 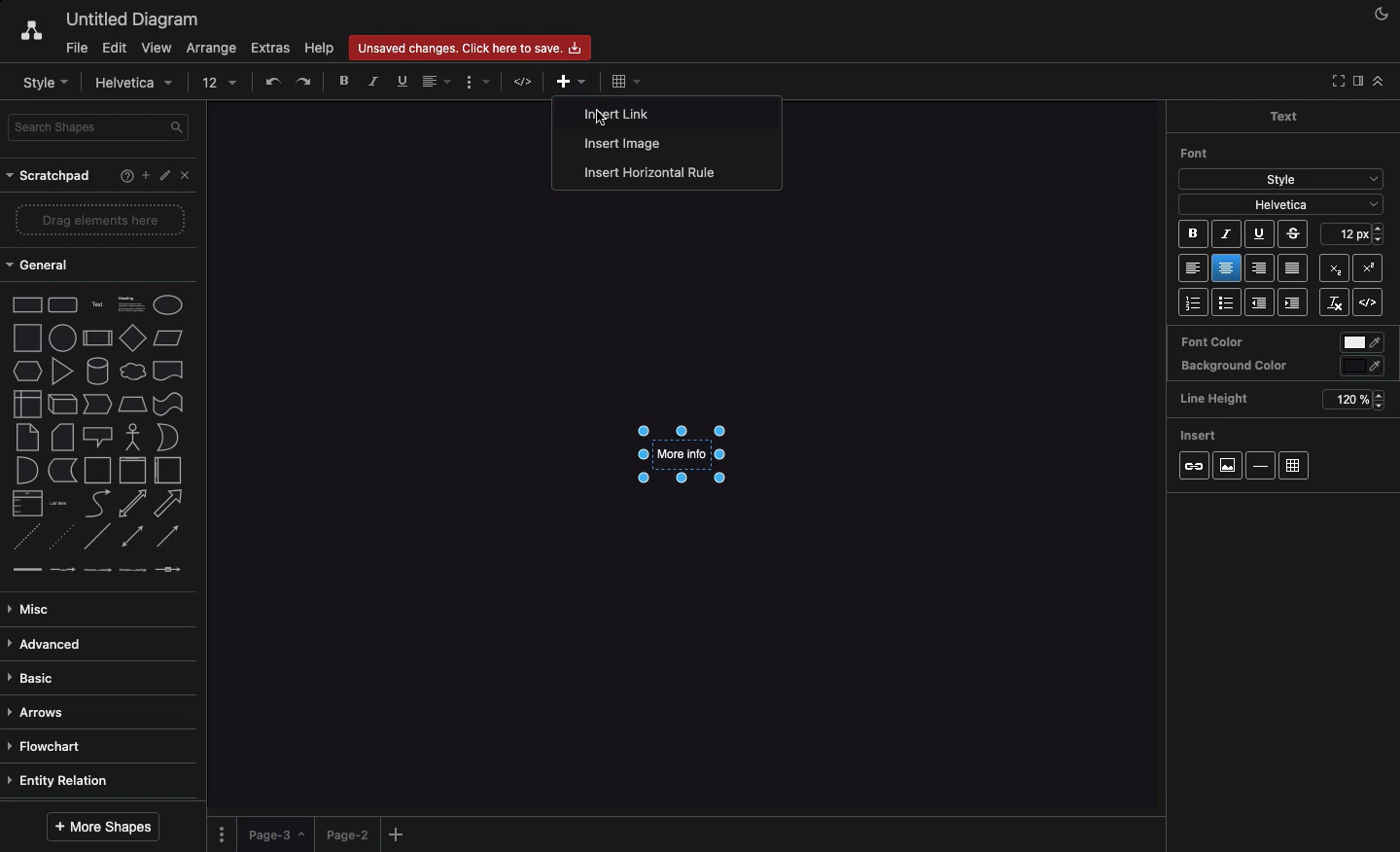 What do you see at coordinates (131, 438) in the screenshot?
I see `actor` at bounding box center [131, 438].